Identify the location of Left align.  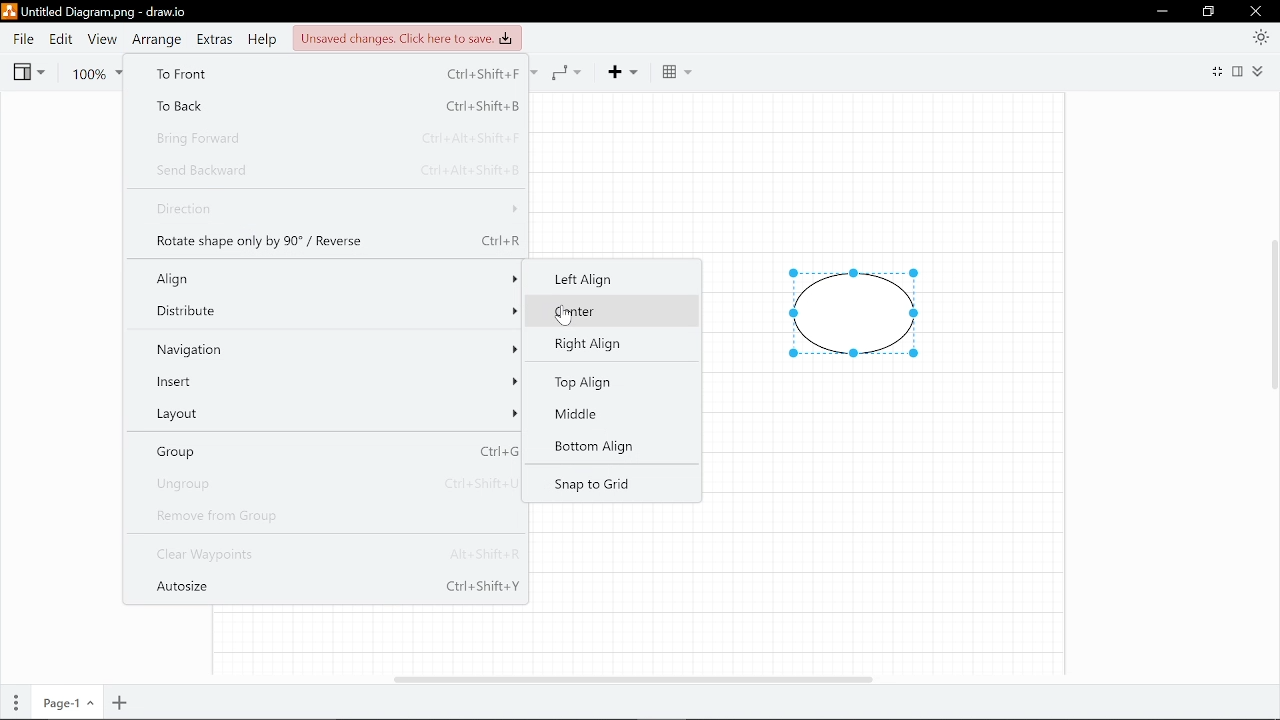
(608, 277).